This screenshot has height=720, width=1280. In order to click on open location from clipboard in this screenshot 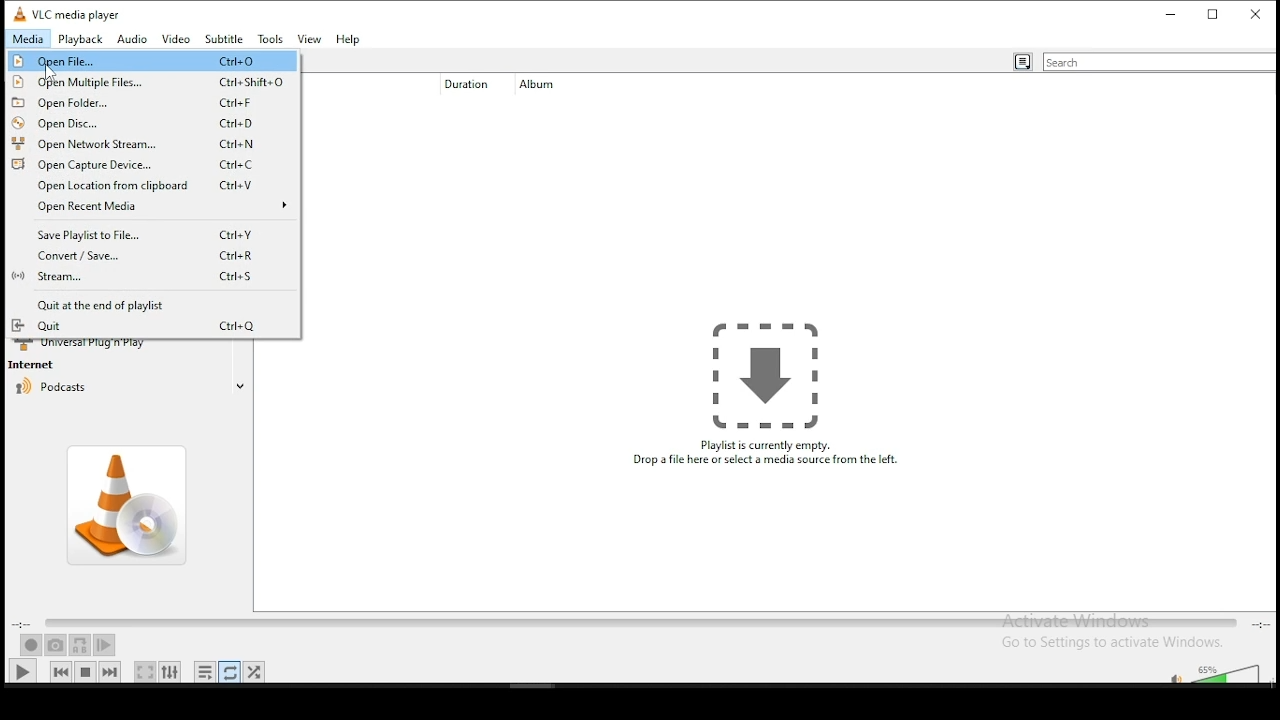, I will do `click(152, 184)`.